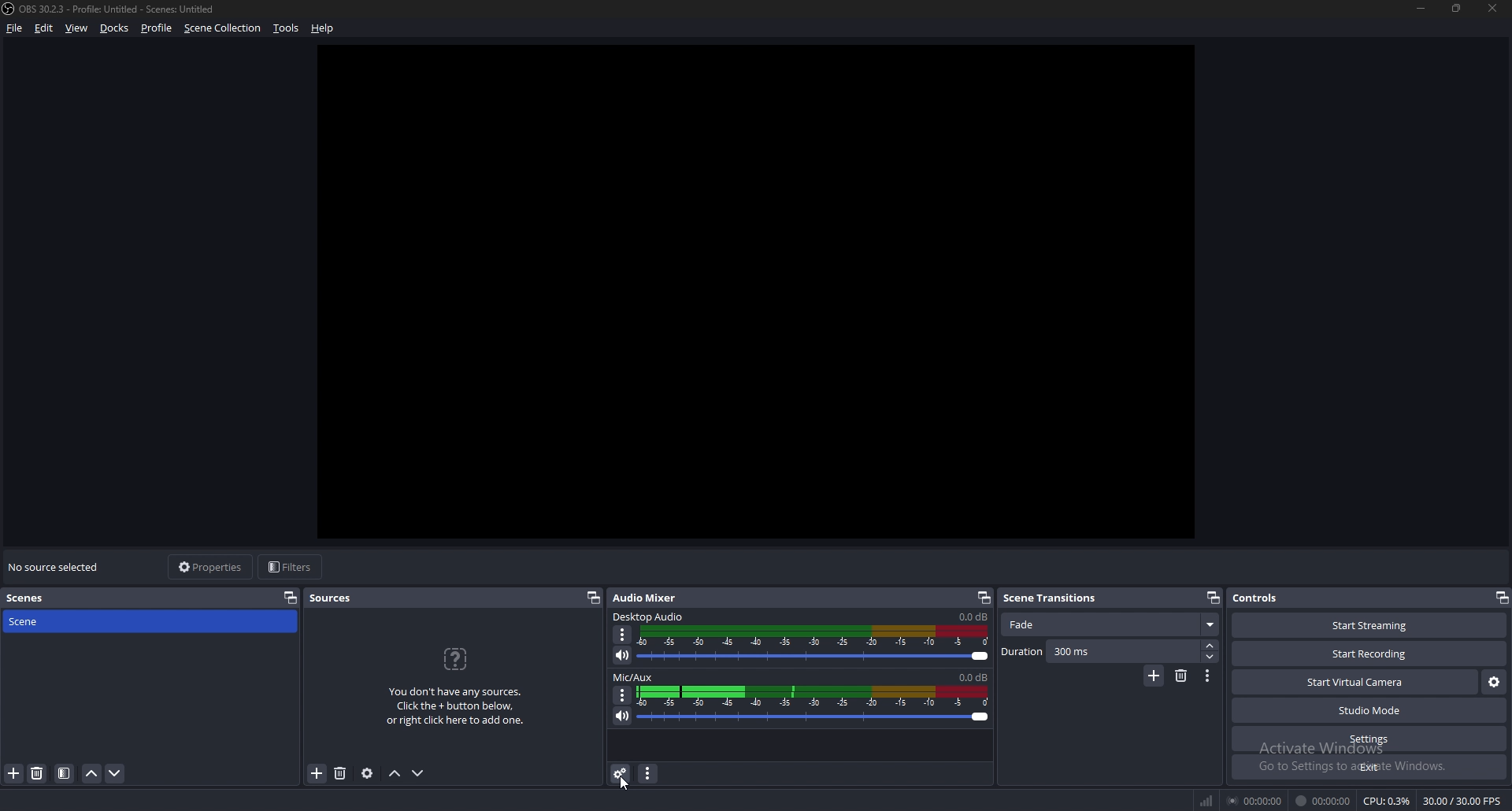 The height and width of the screenshot is (811, 1512). What do you see at coordinates (224, 28) in the screenshot?
I see `scene collection` at bounding box center [224, 28].